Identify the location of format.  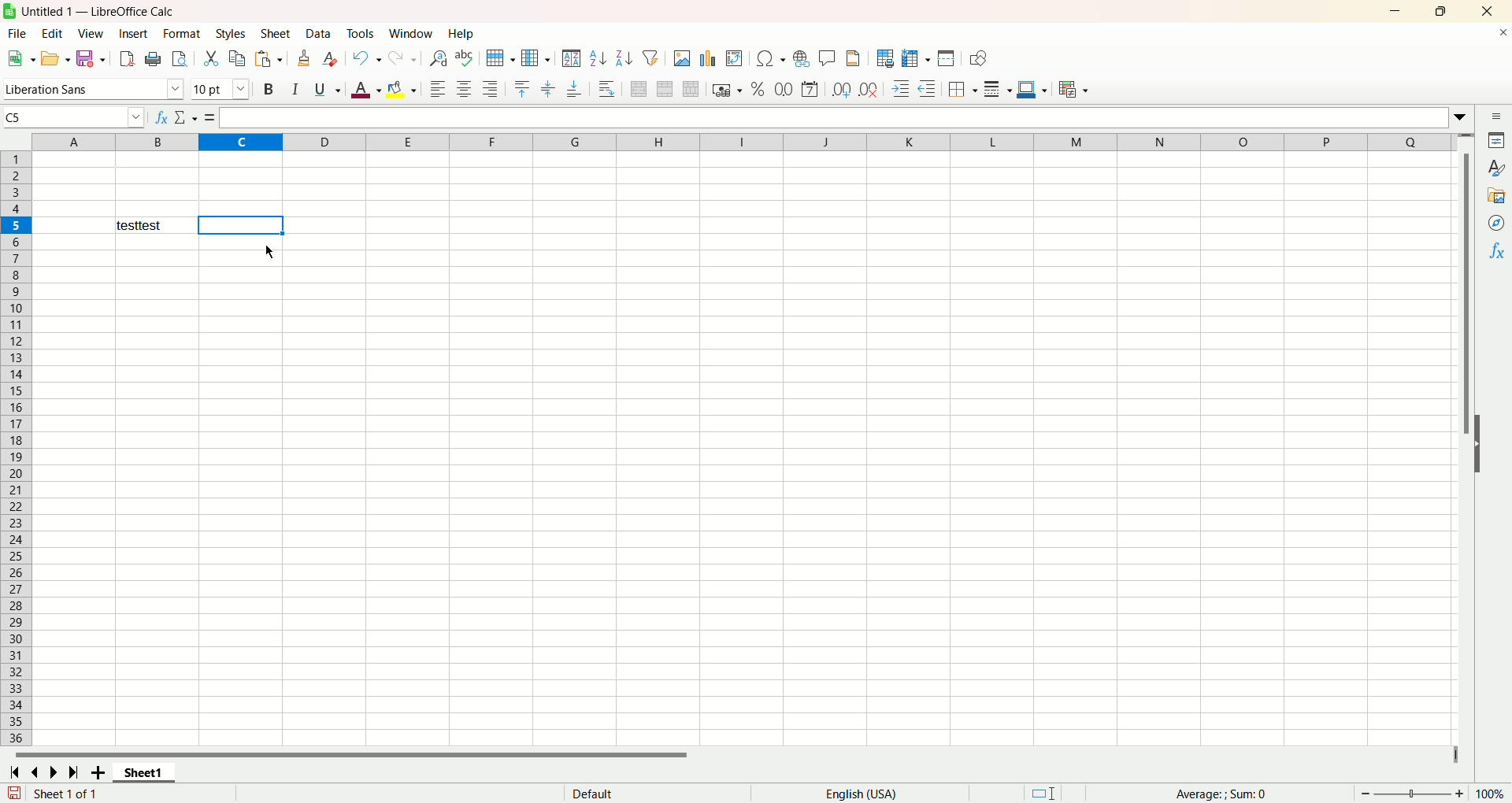
(182, 33).